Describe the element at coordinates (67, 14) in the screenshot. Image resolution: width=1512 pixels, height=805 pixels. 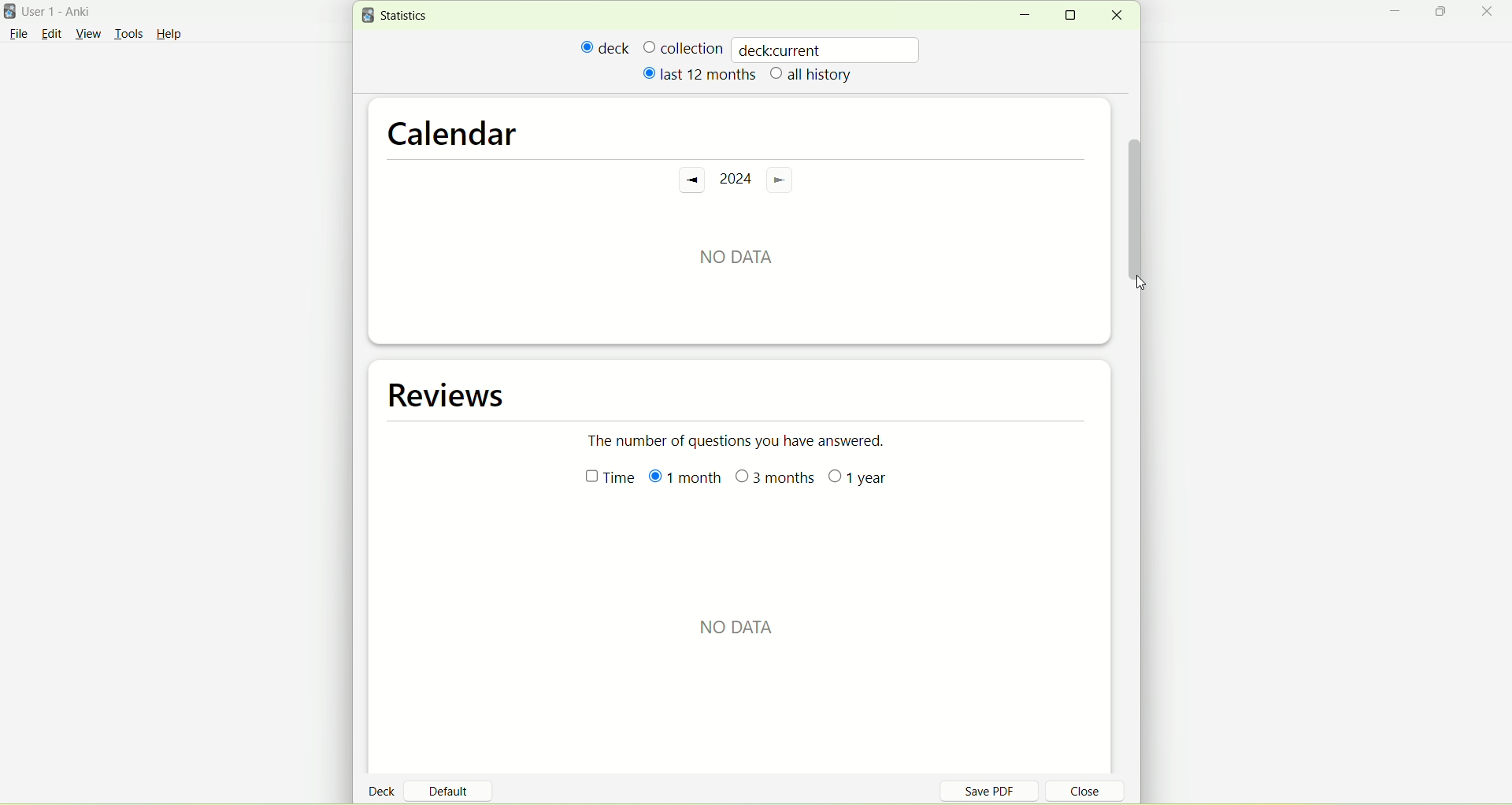
I see `User 1- Anki` at that location.